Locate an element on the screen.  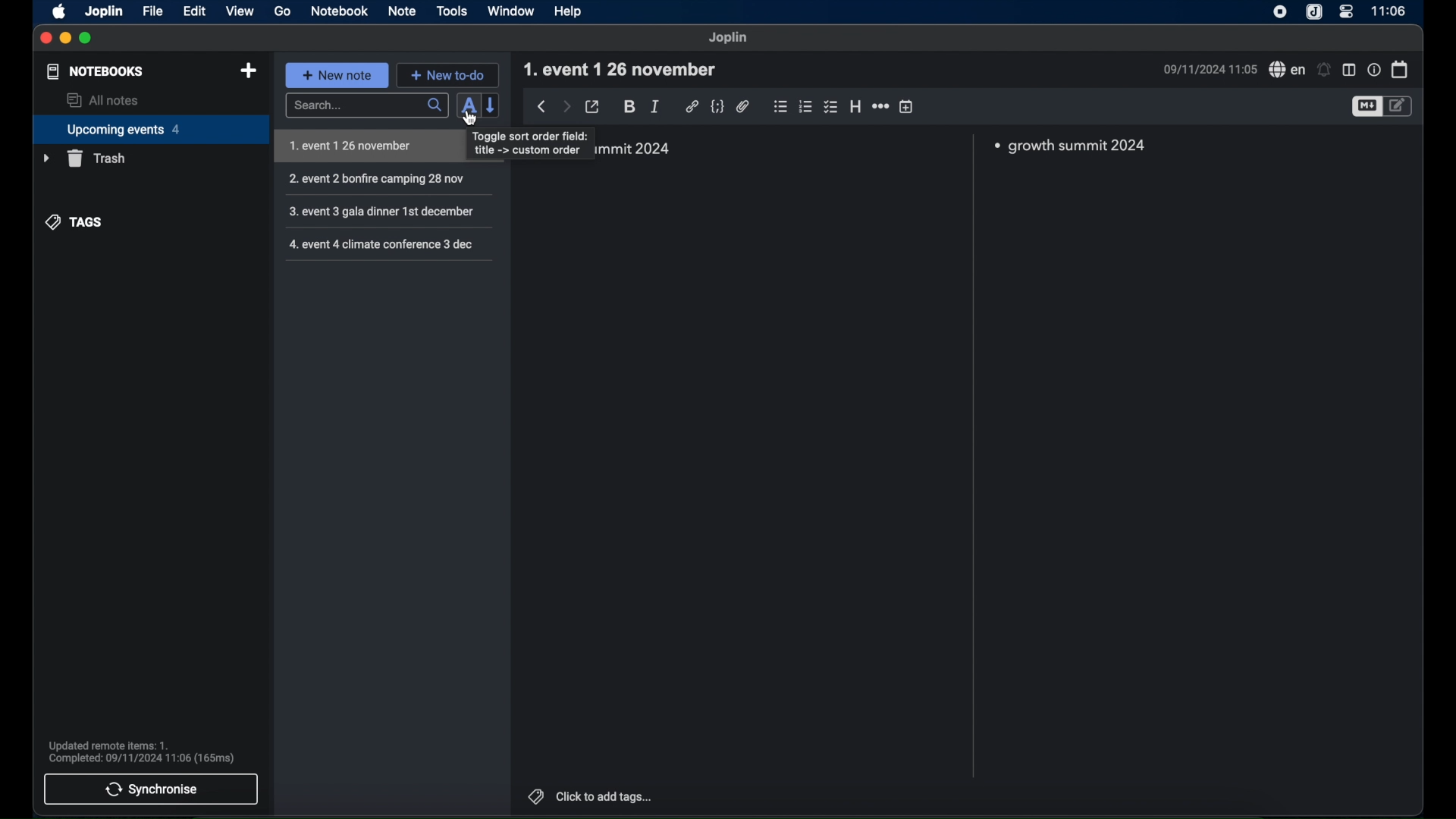
insert time is located at coordinates (907, 106).